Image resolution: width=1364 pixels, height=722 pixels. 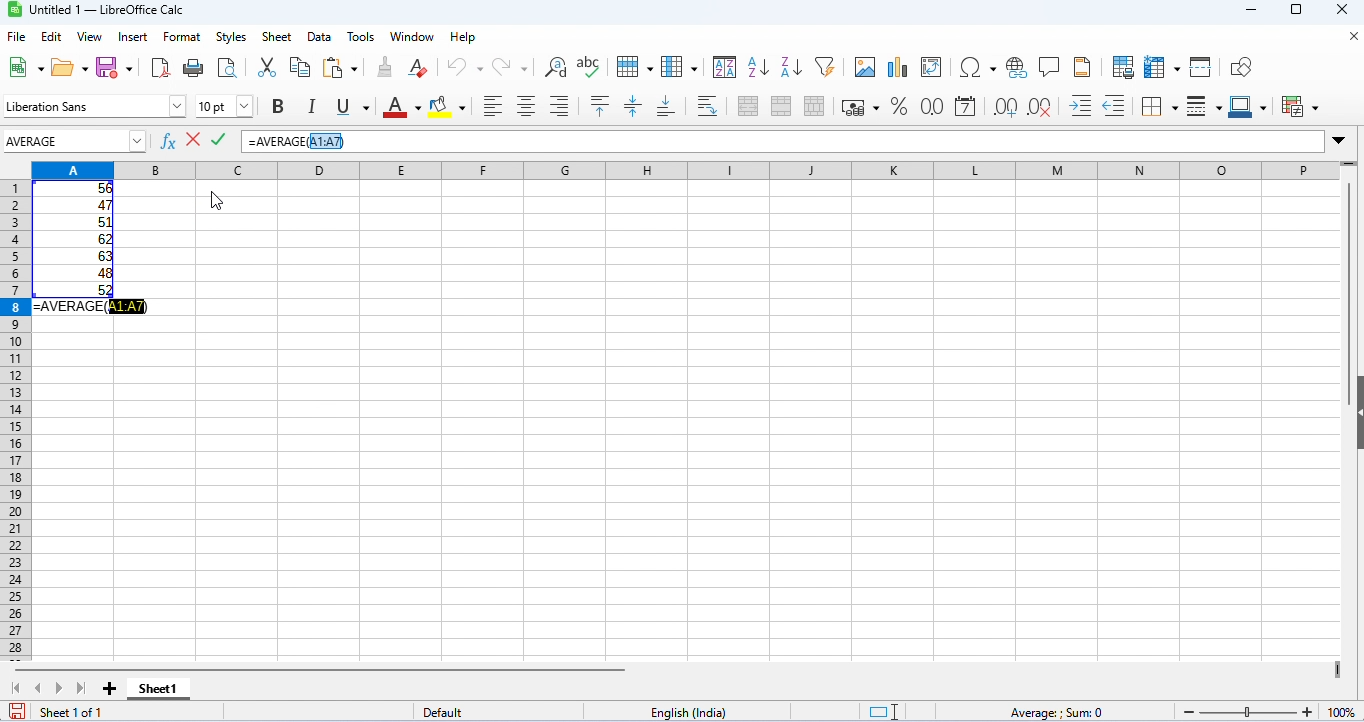 What do you see at coordinates (1050, 67) in the screenshot?
I see `insert comment` at bounding box center [1050, 67].